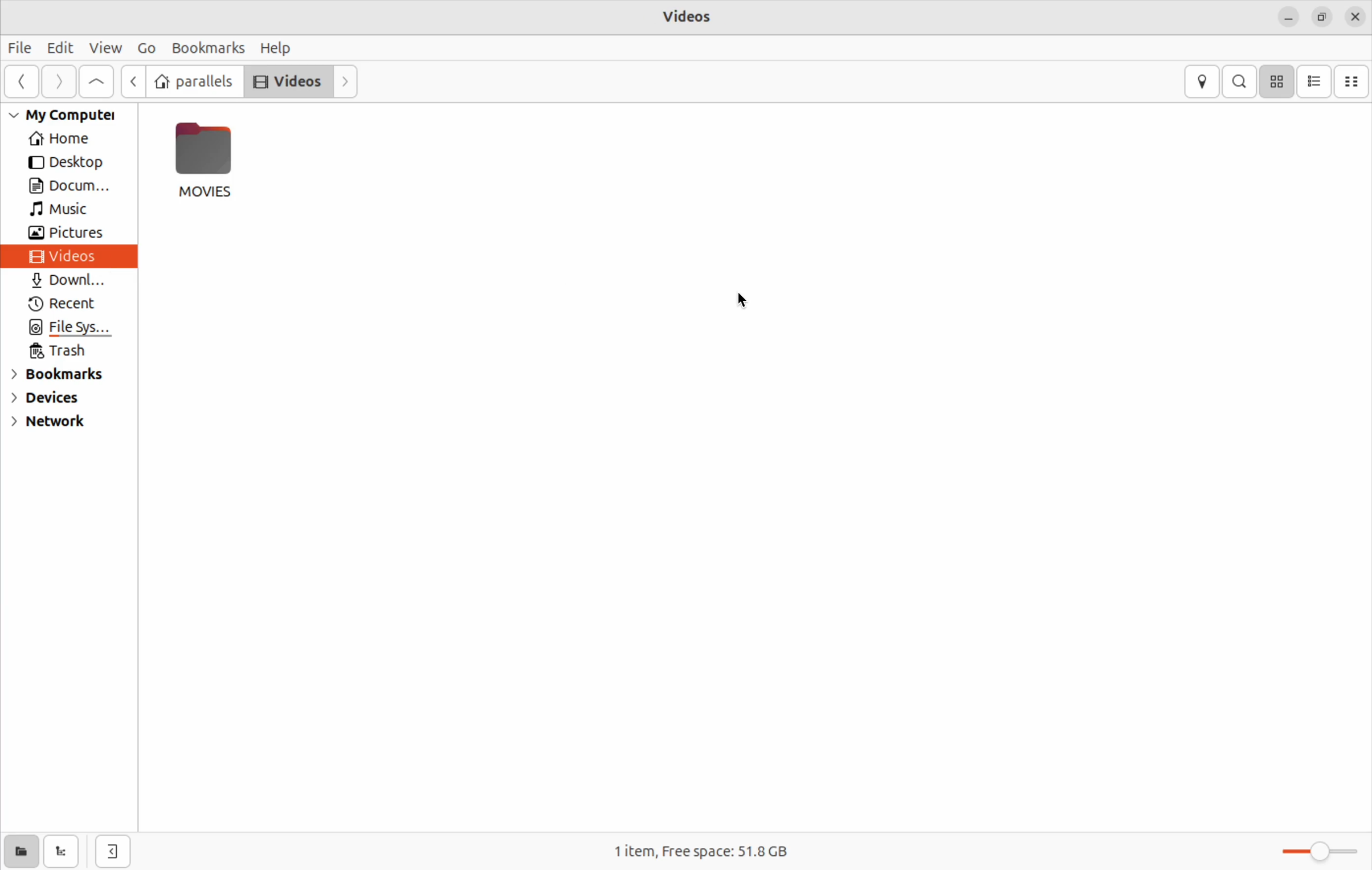  Describe the element at coordinates (1276, 80) in the screenshot. I see `icons` at that location.